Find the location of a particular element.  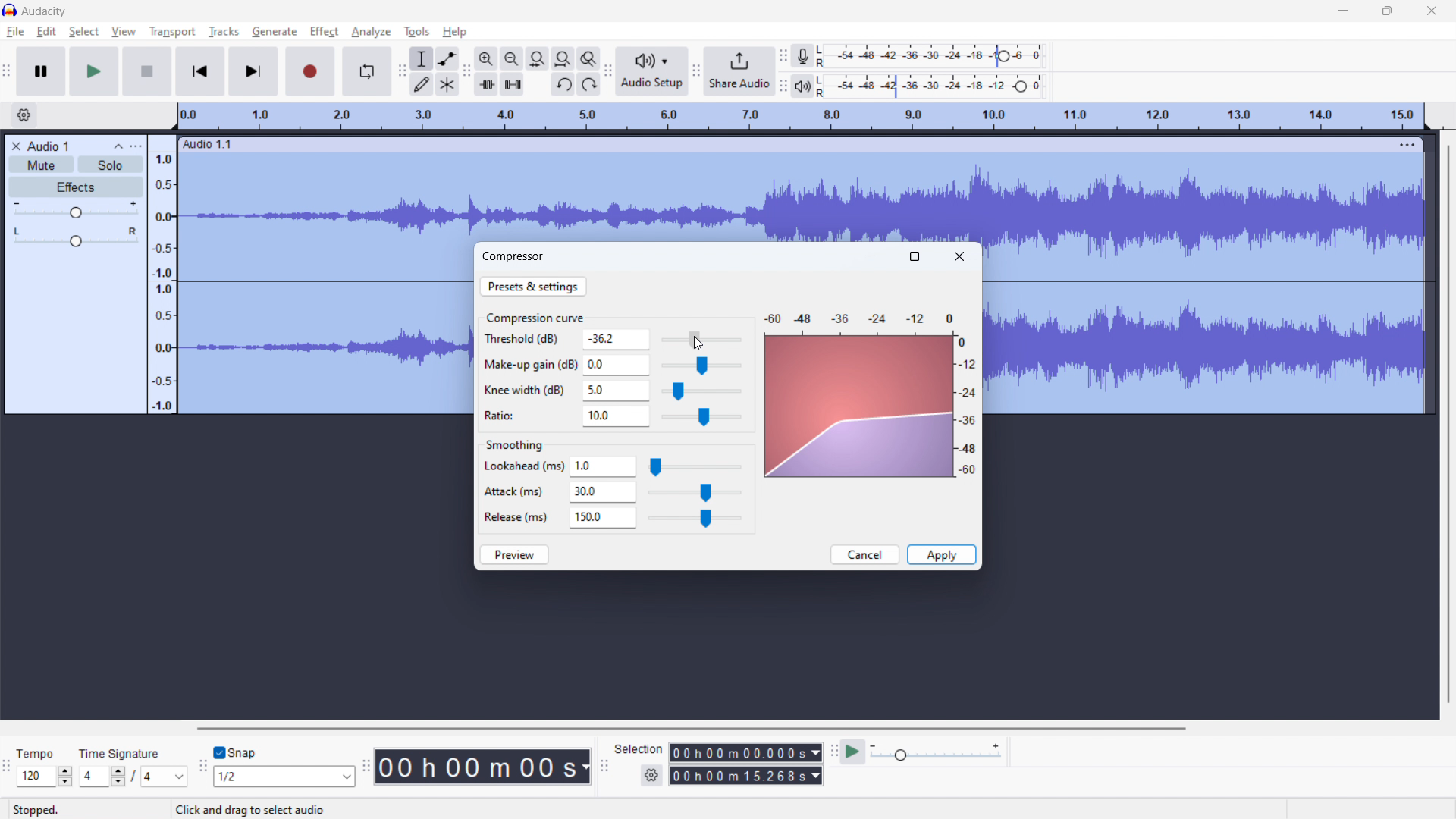

Tempo is located at coordinates (40, 749).